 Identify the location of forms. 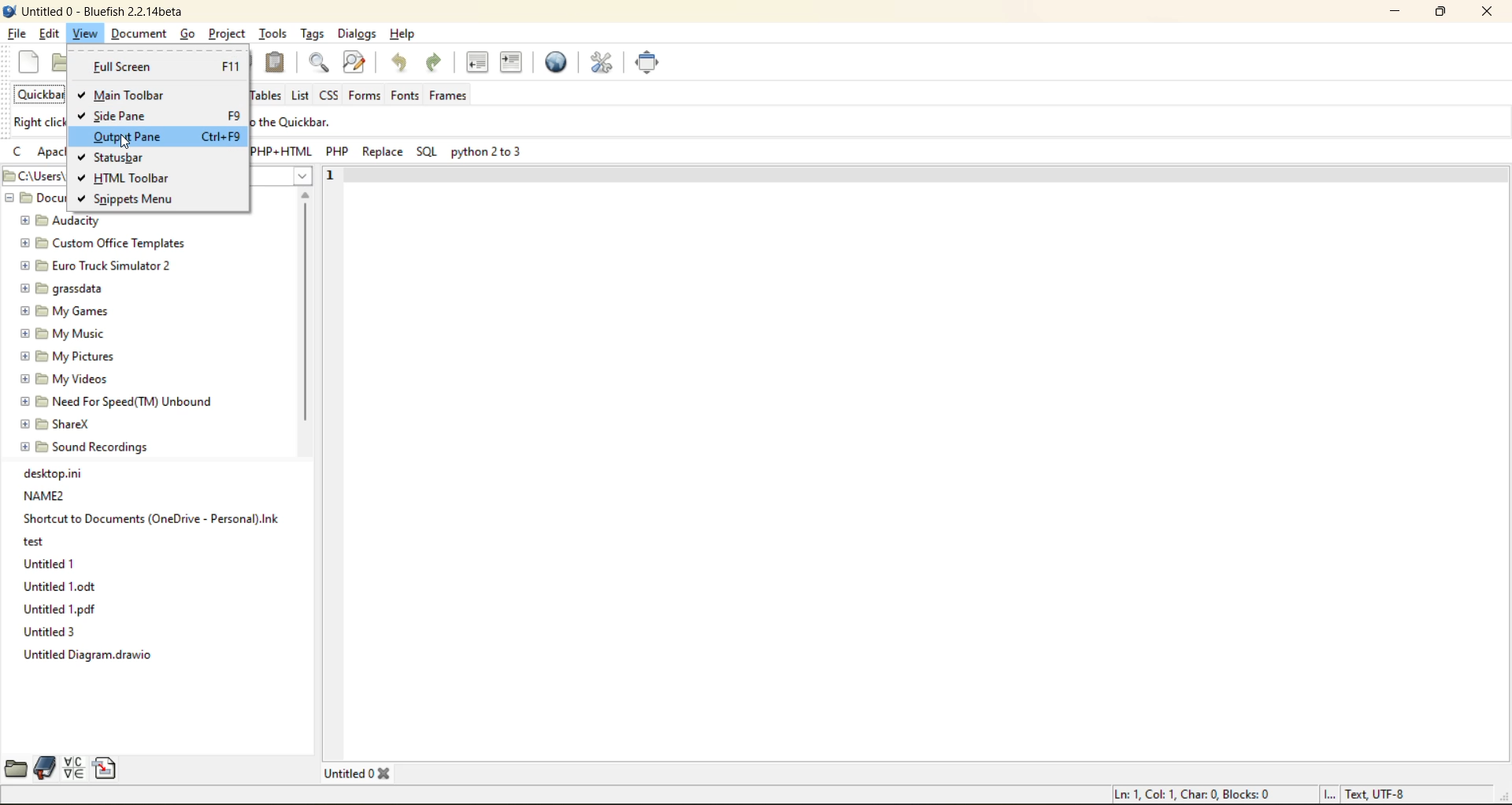
(364, 96).